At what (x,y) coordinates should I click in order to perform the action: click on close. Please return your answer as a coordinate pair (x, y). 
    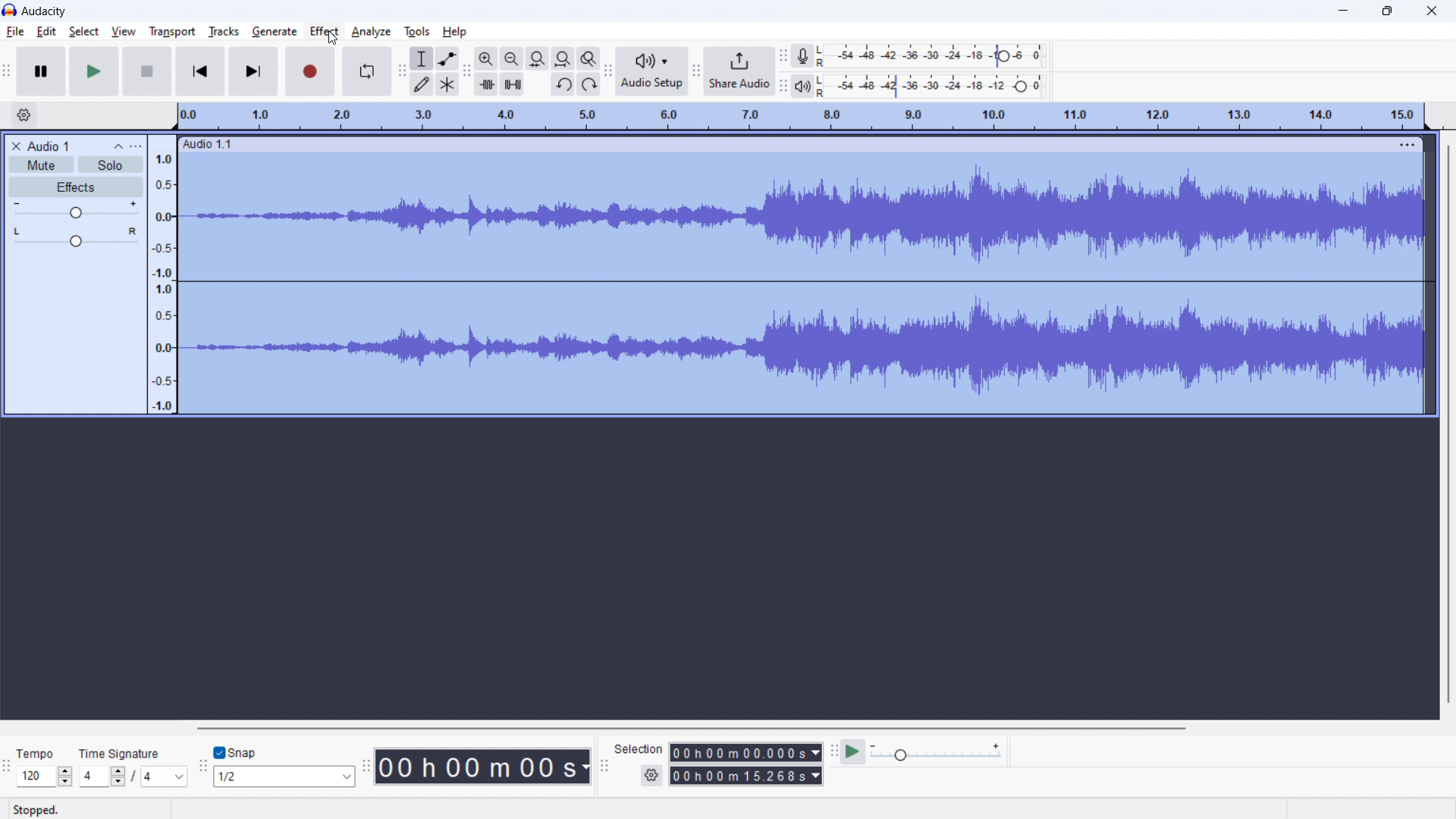
    Looking at the image, I should click on (1432, 11).